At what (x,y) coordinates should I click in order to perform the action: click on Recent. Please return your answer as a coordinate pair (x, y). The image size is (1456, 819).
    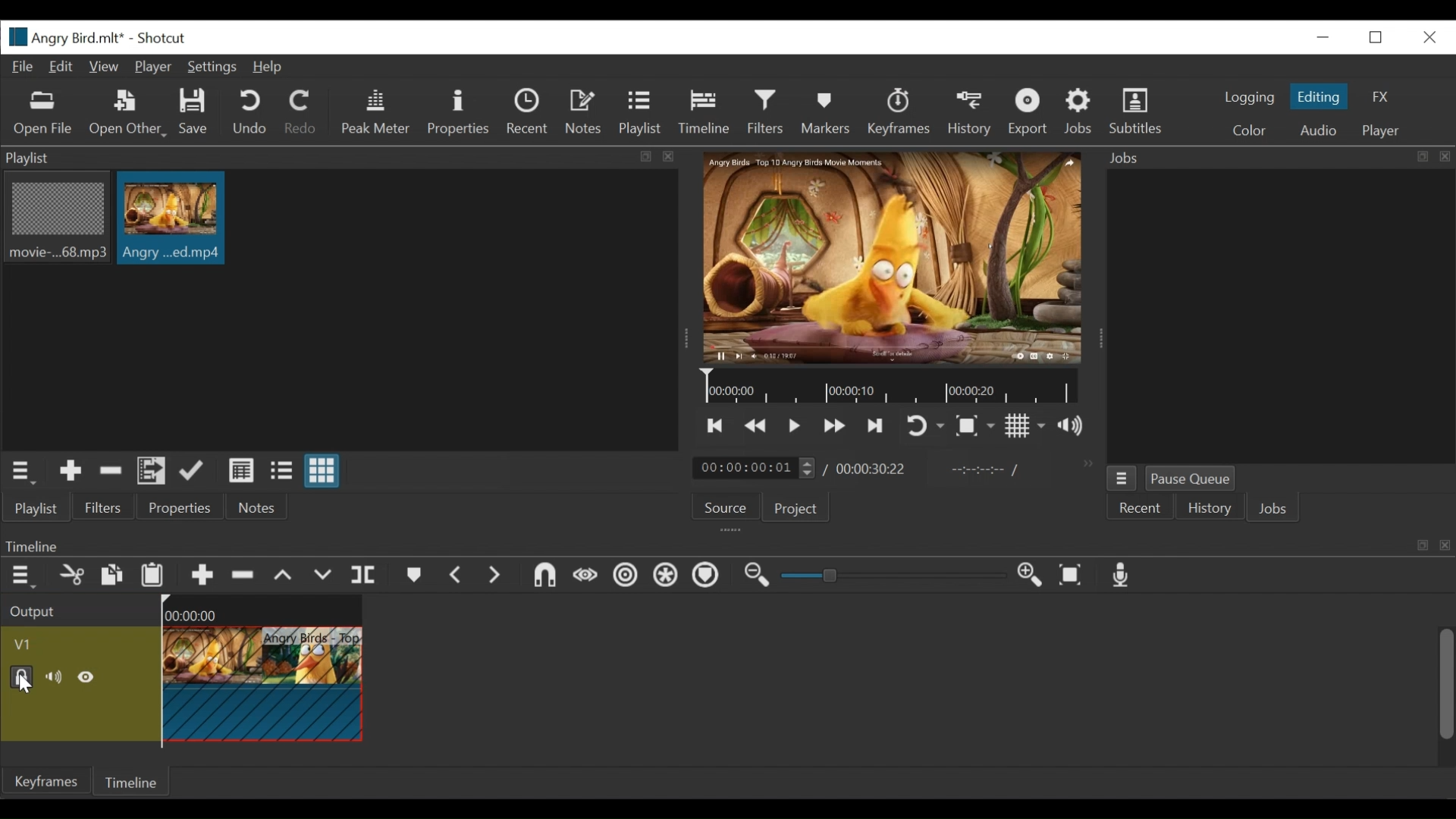
    Looking at the image, I should click on (529, 114).